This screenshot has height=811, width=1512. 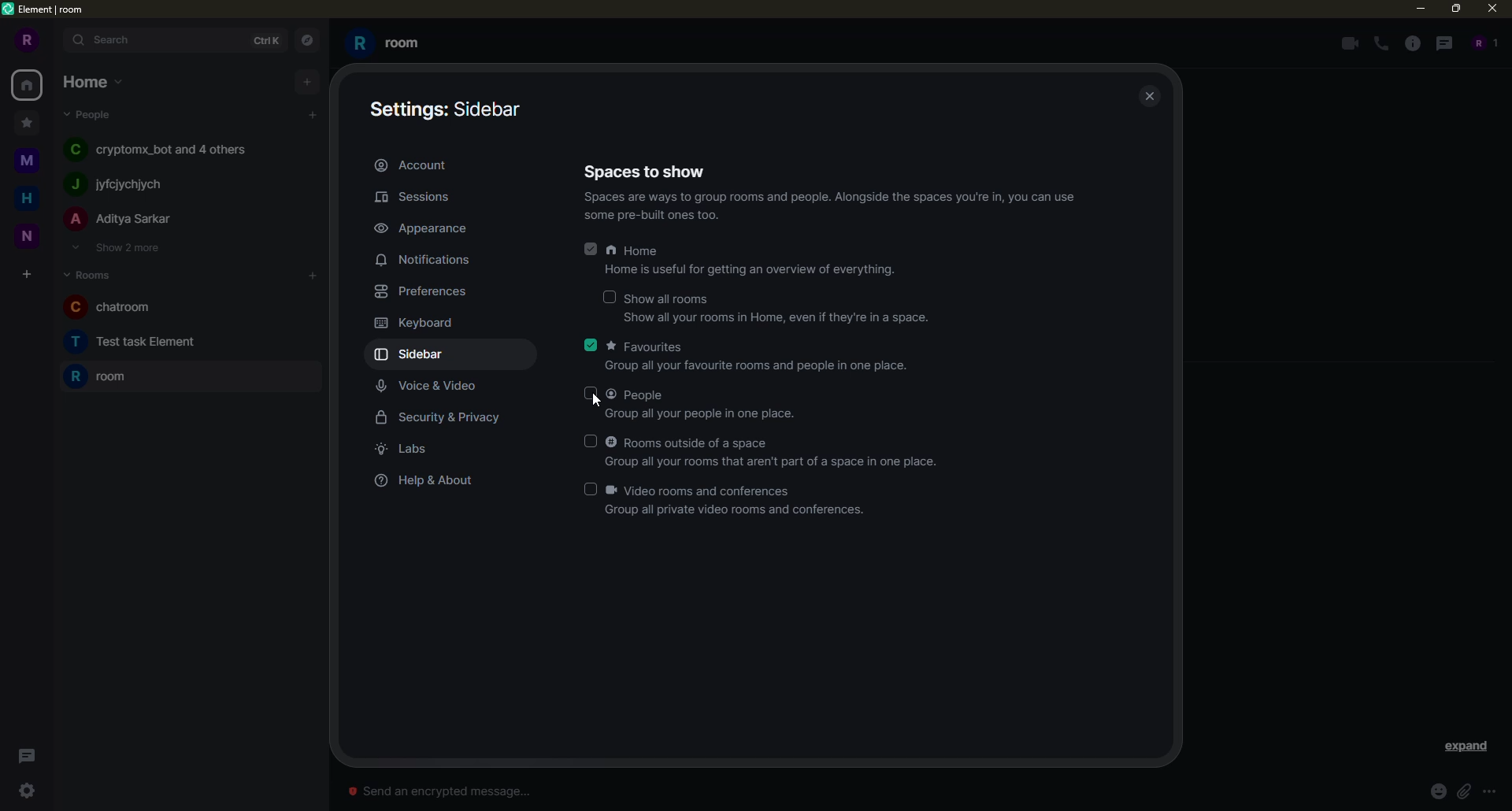 What do you see at coordinates (417, 324) in the screenshot?
I see `keyboard` at bounding box center [417, 324].